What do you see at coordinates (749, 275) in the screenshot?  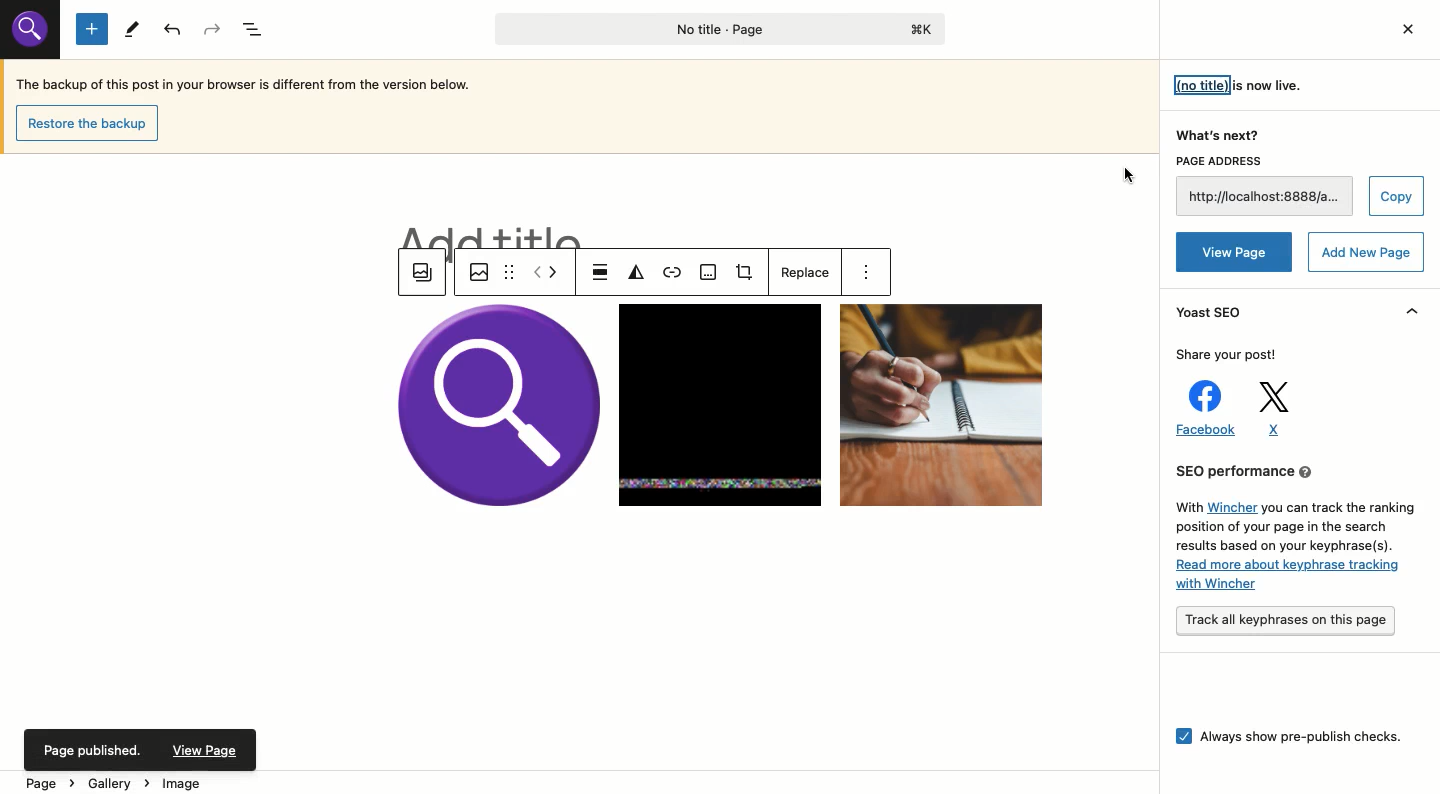 I see `Crop` at bounding box center [749, 275].